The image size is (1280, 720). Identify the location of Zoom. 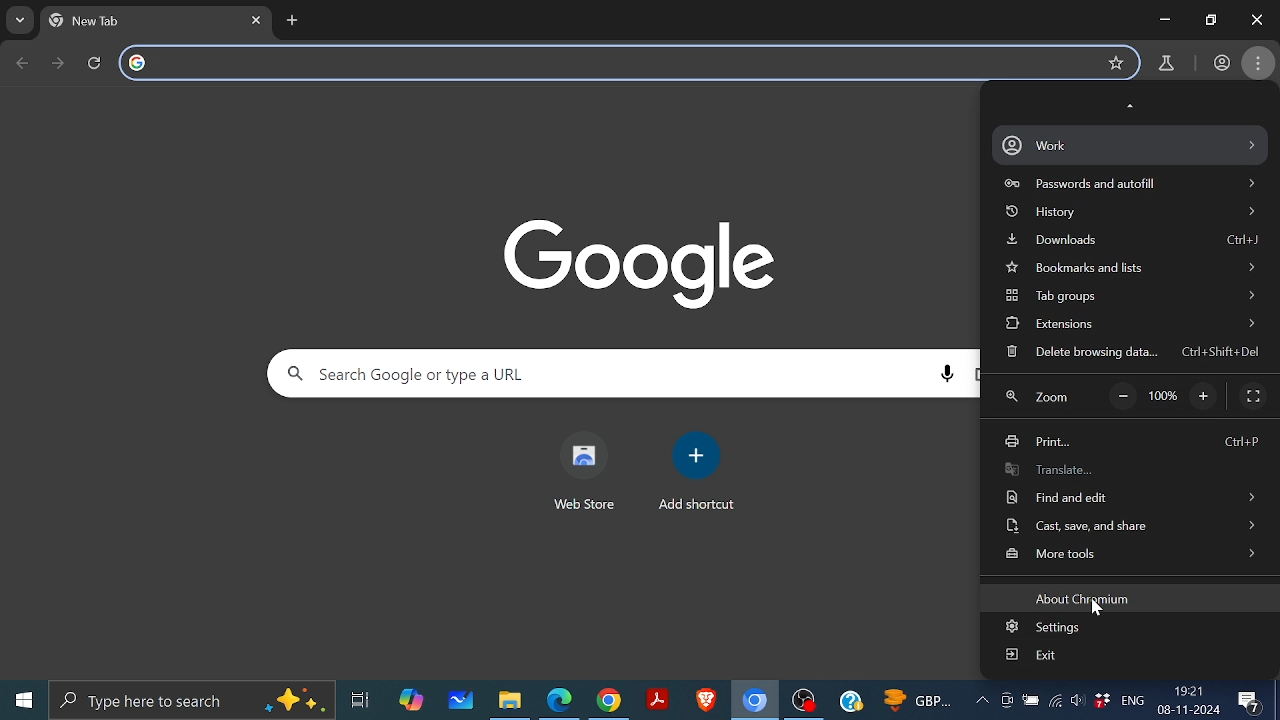
(1037, 398).